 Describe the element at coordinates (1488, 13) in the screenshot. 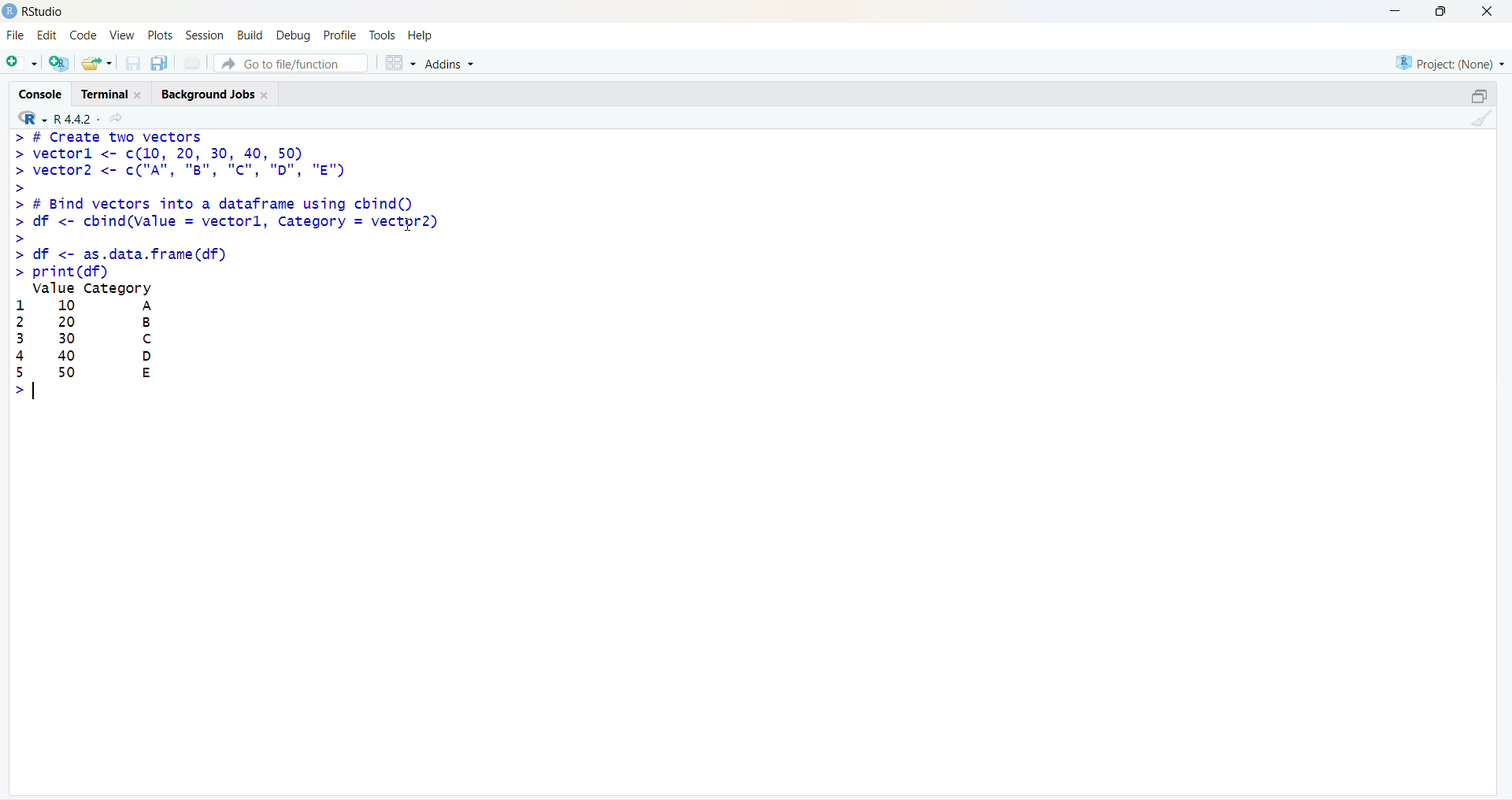

I see `Close` at that location.